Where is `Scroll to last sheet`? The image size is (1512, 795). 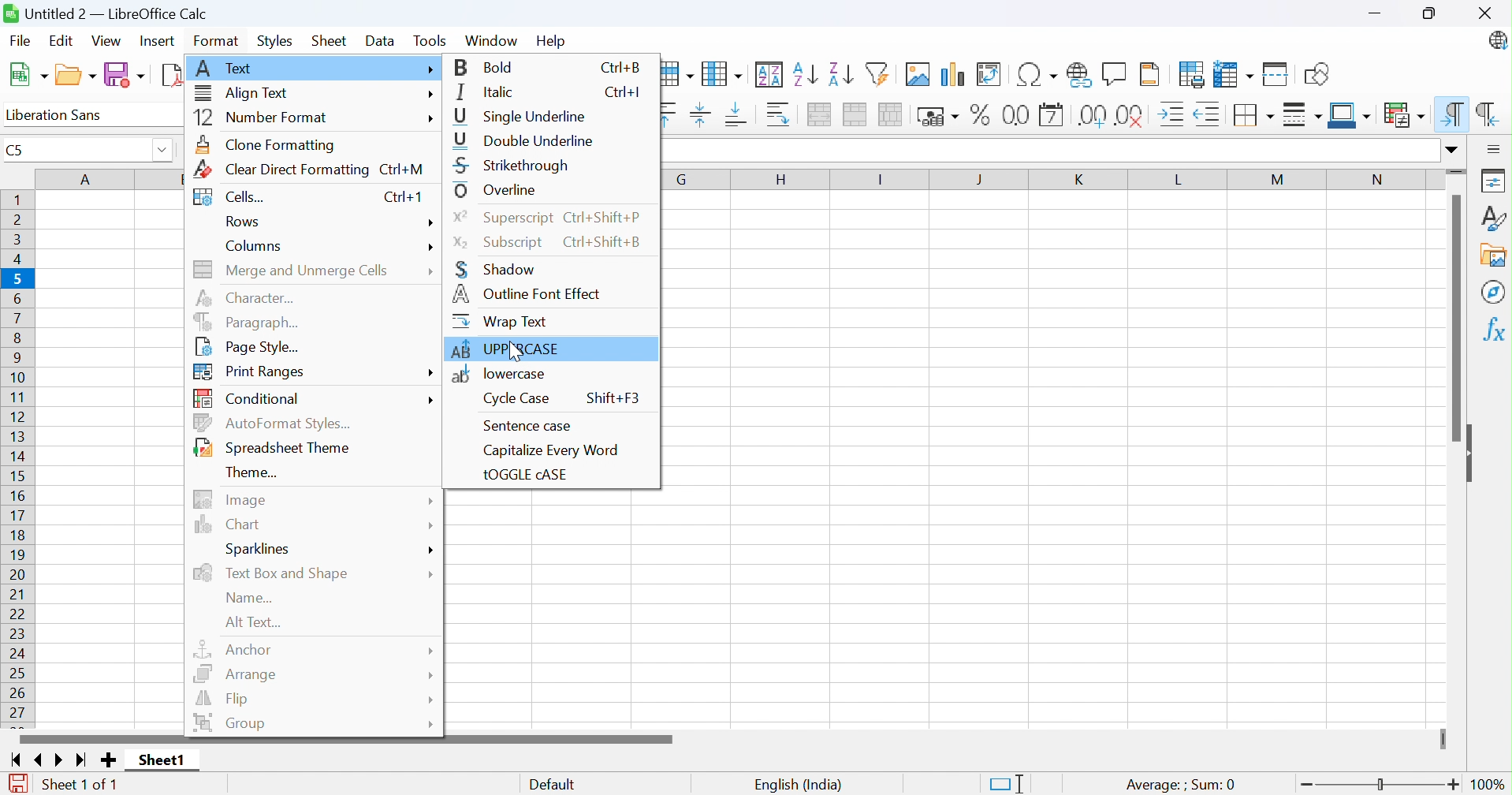
Scroll to last sheet is located at coordinates (80, 763).